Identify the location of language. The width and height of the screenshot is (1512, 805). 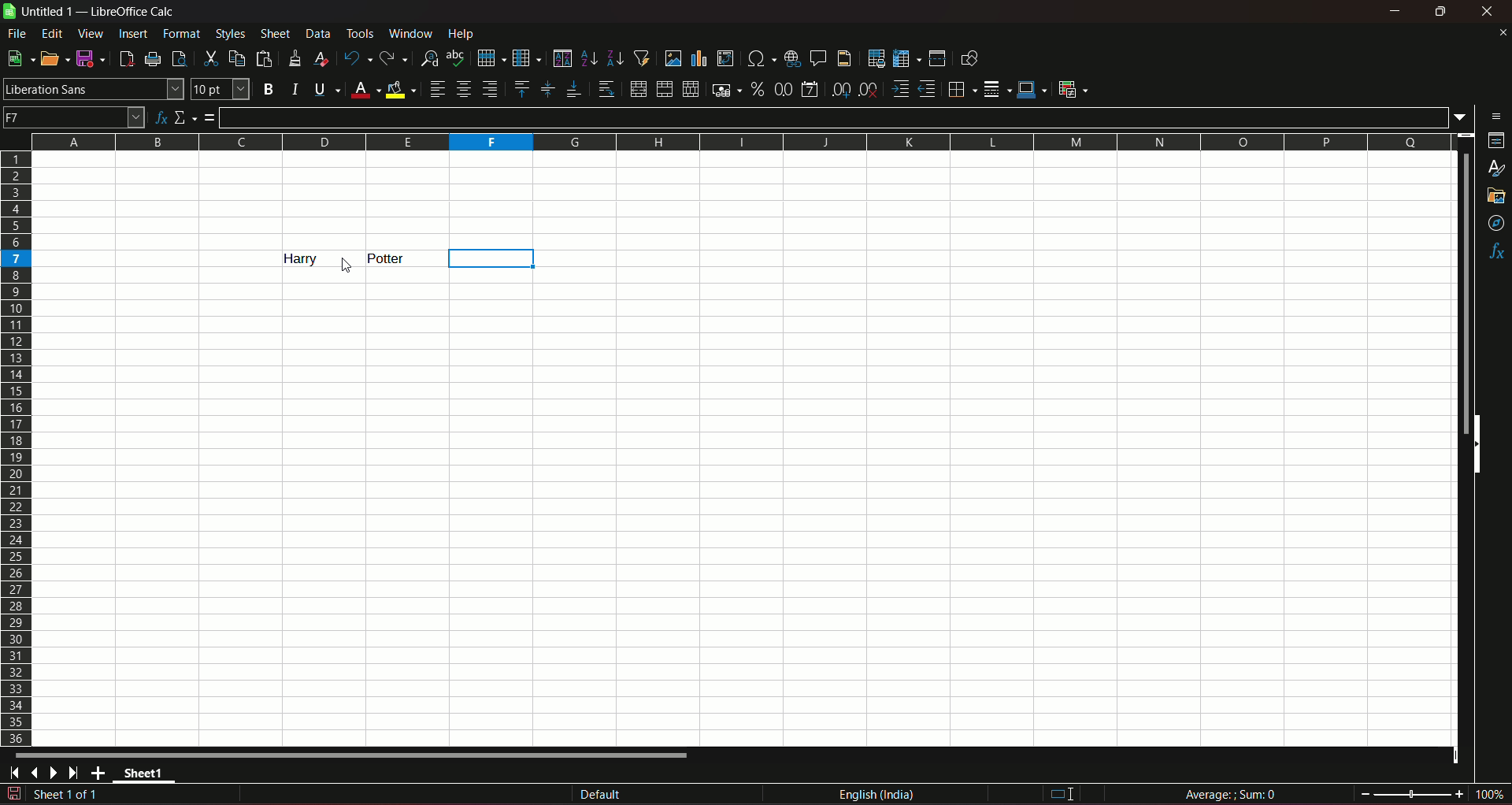
(880, 795).